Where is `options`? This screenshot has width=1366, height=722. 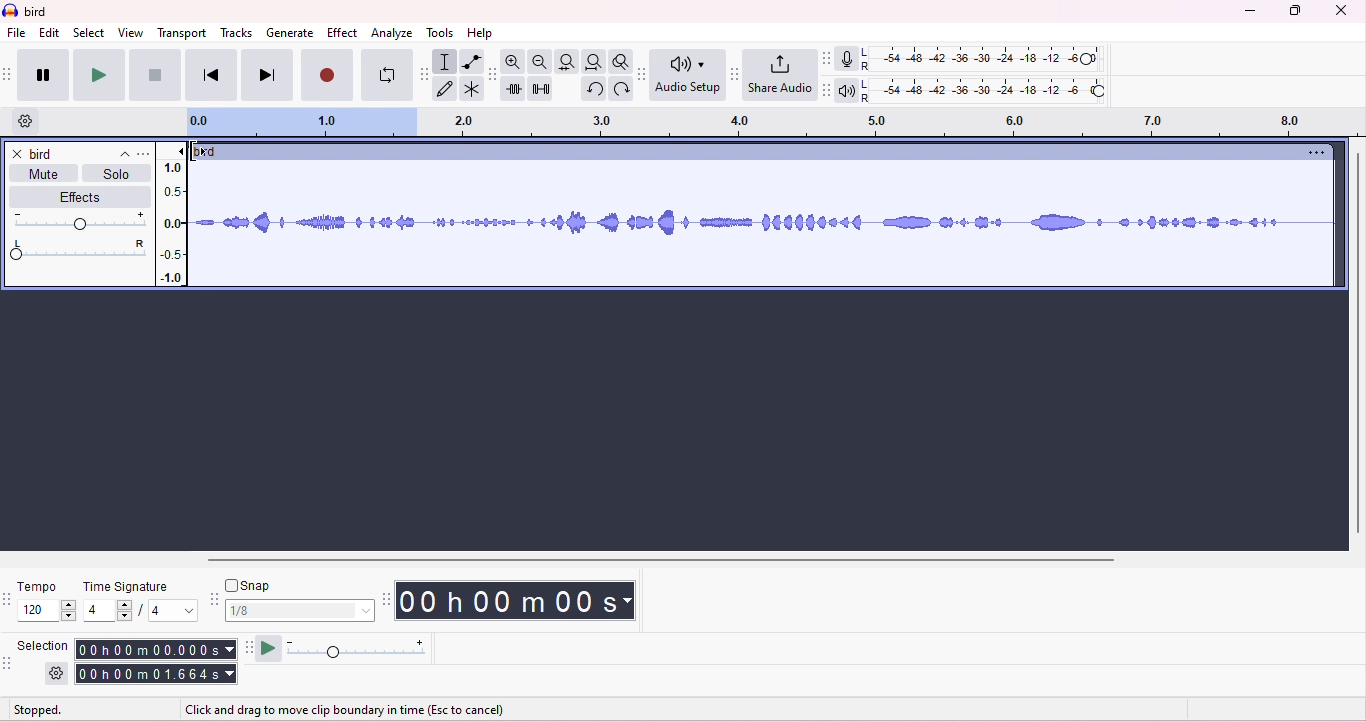
options is located at coordinates (143, 154).